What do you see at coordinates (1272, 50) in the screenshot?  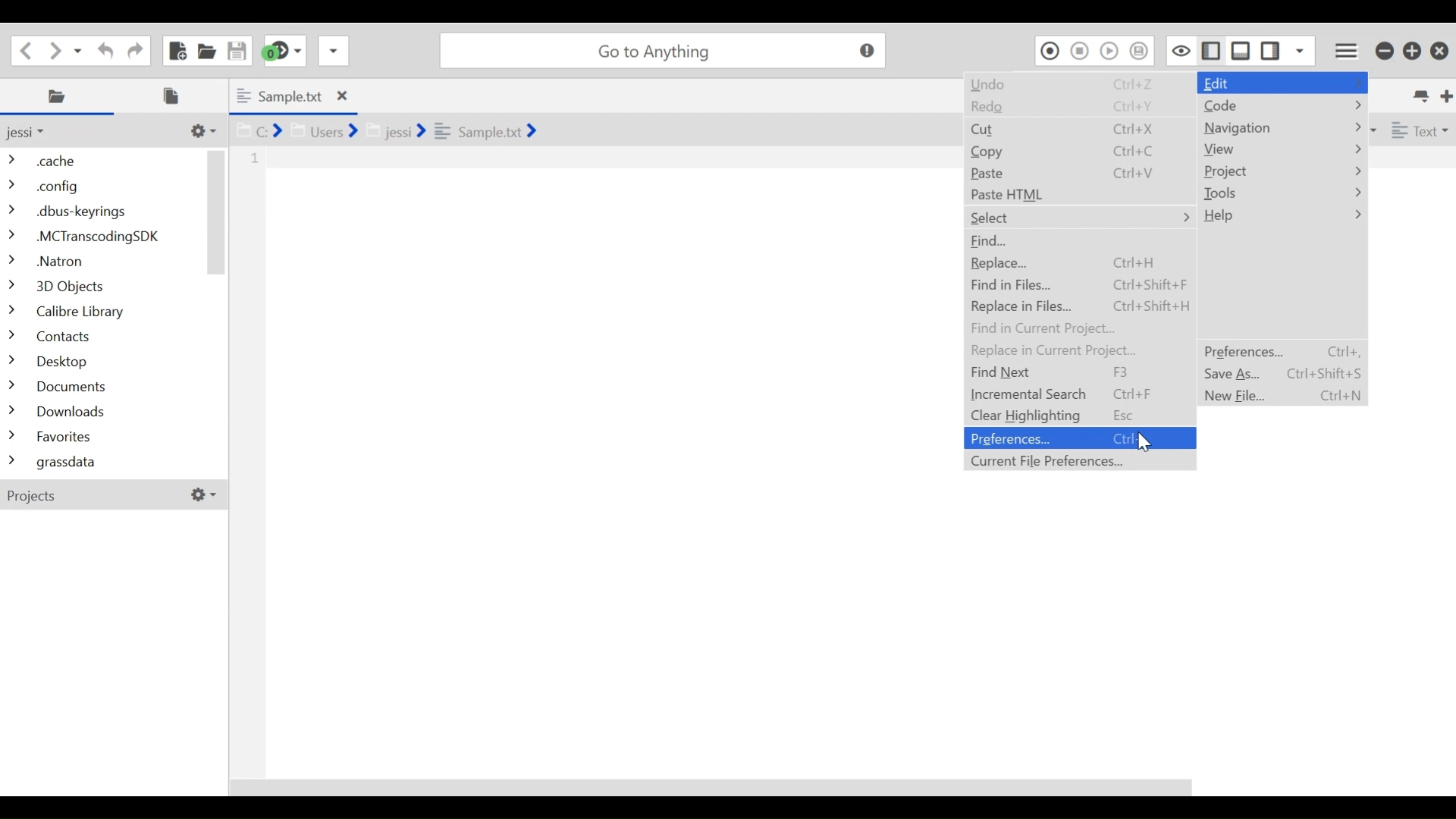 I see `Show/ Hide left Pane` at bounding box center [1272, 50].